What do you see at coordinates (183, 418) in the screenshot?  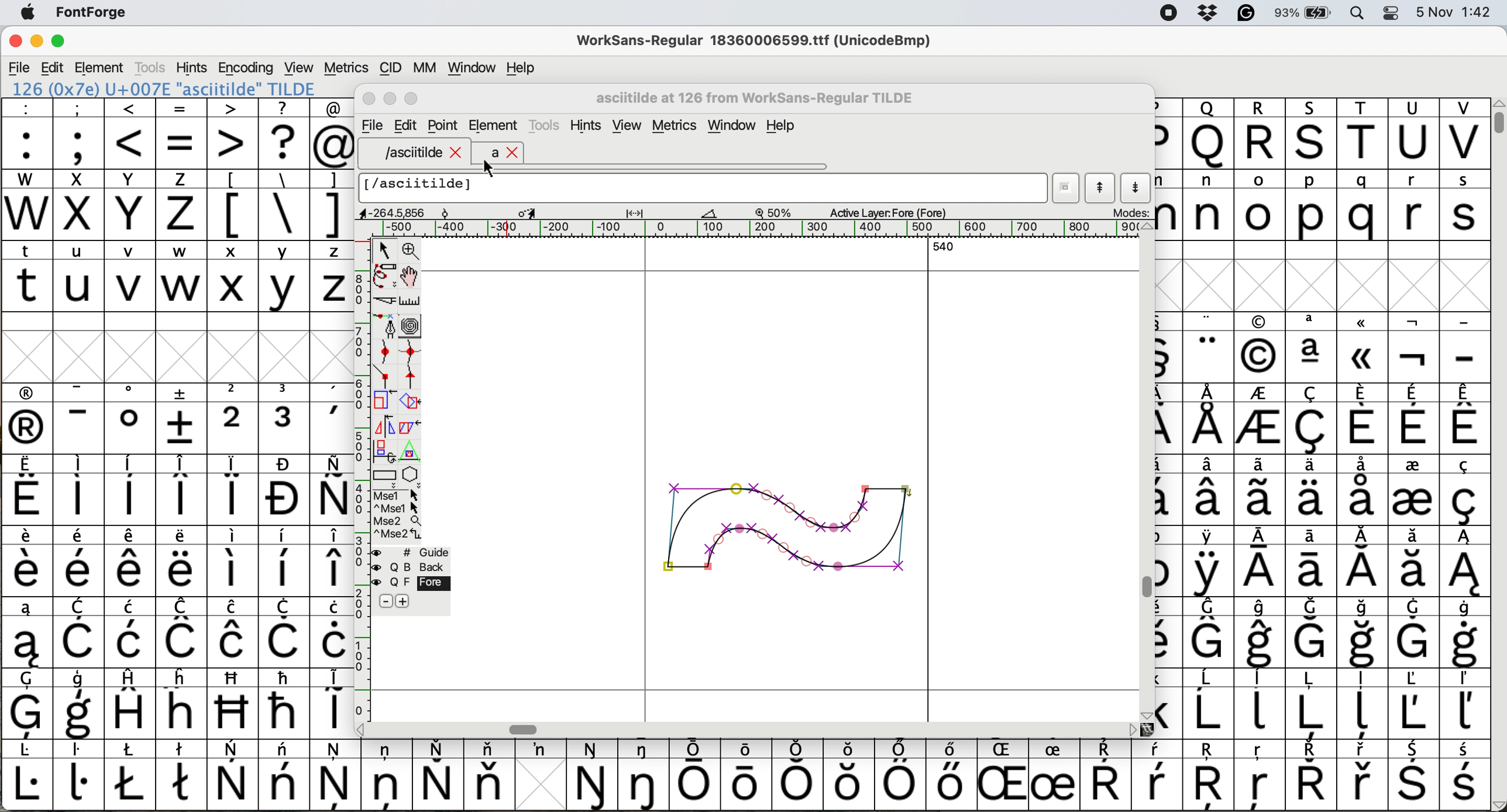 I see `symbol` at bounding box center [183, 418].